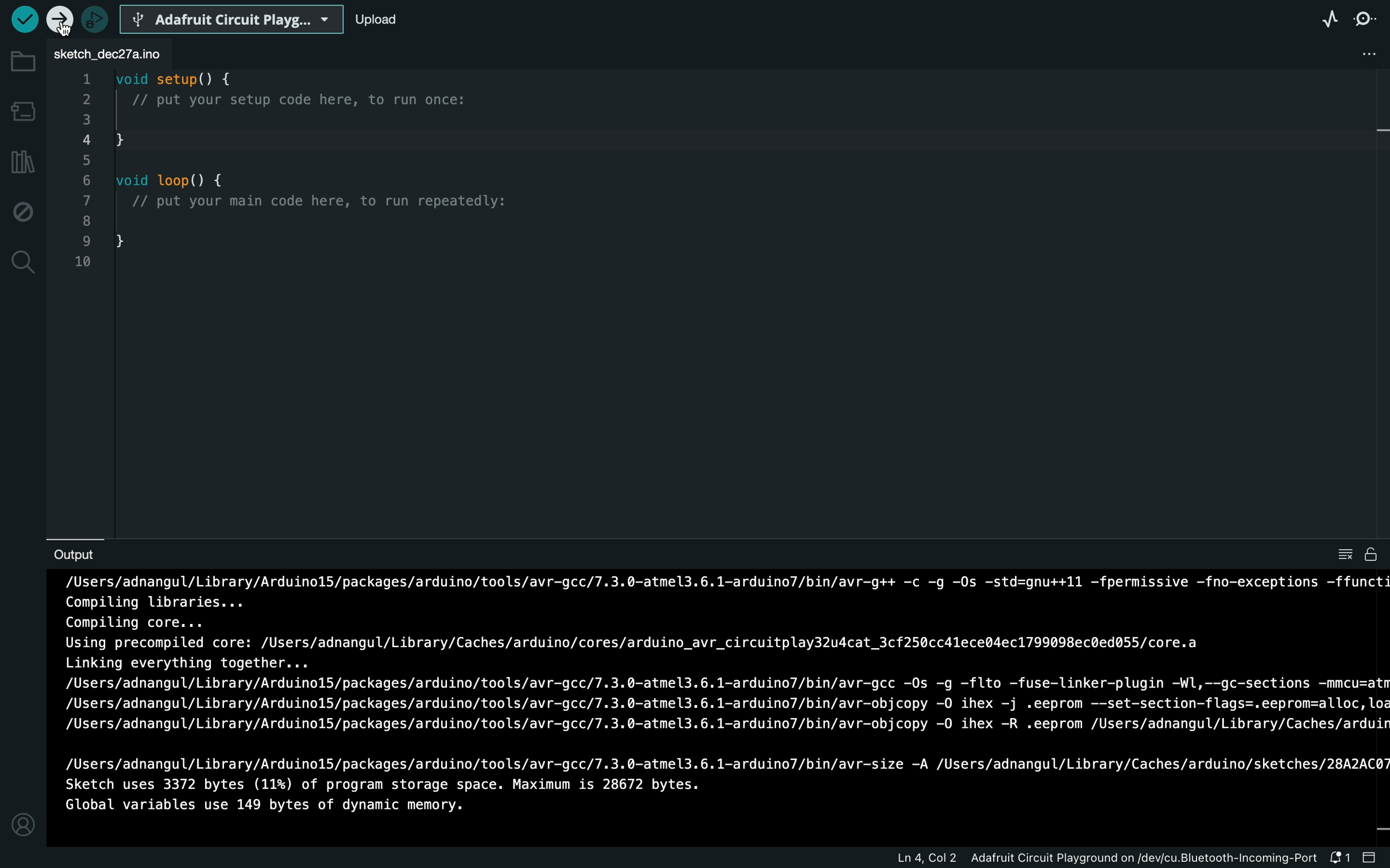 This screenshot has width=1390, height=868. Describe the element at coordinates (21, 824) in the screenshot. I see `profile` at that location.